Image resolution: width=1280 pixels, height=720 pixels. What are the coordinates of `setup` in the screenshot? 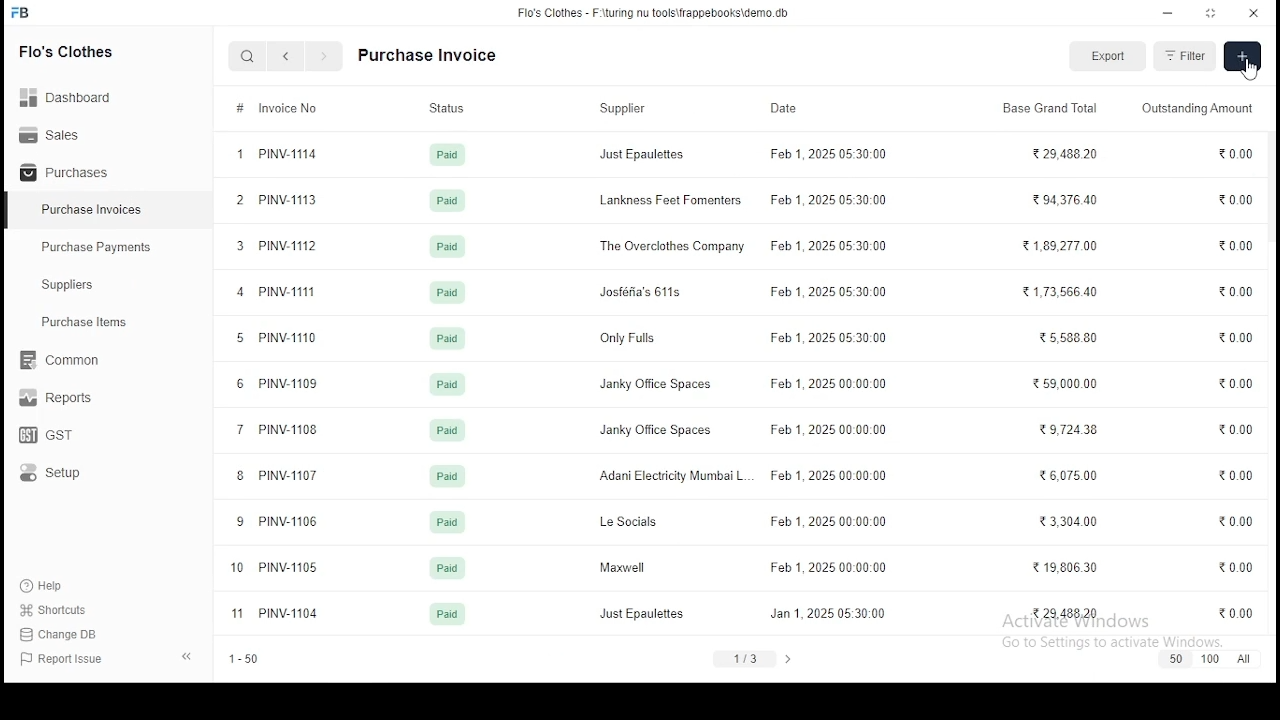 It's located at (63, 474).